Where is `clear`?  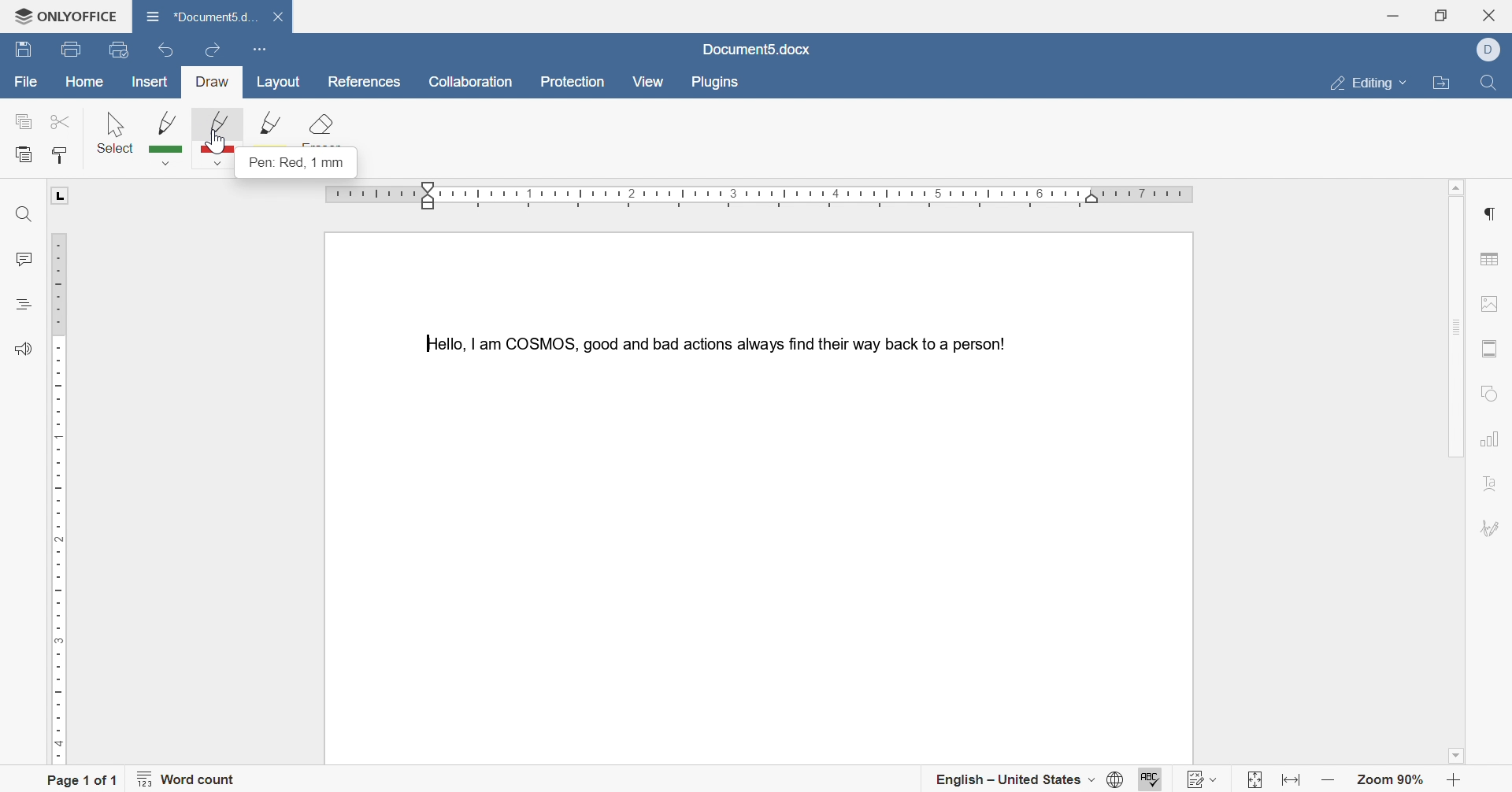
clear is located at coordinates (320, 130).